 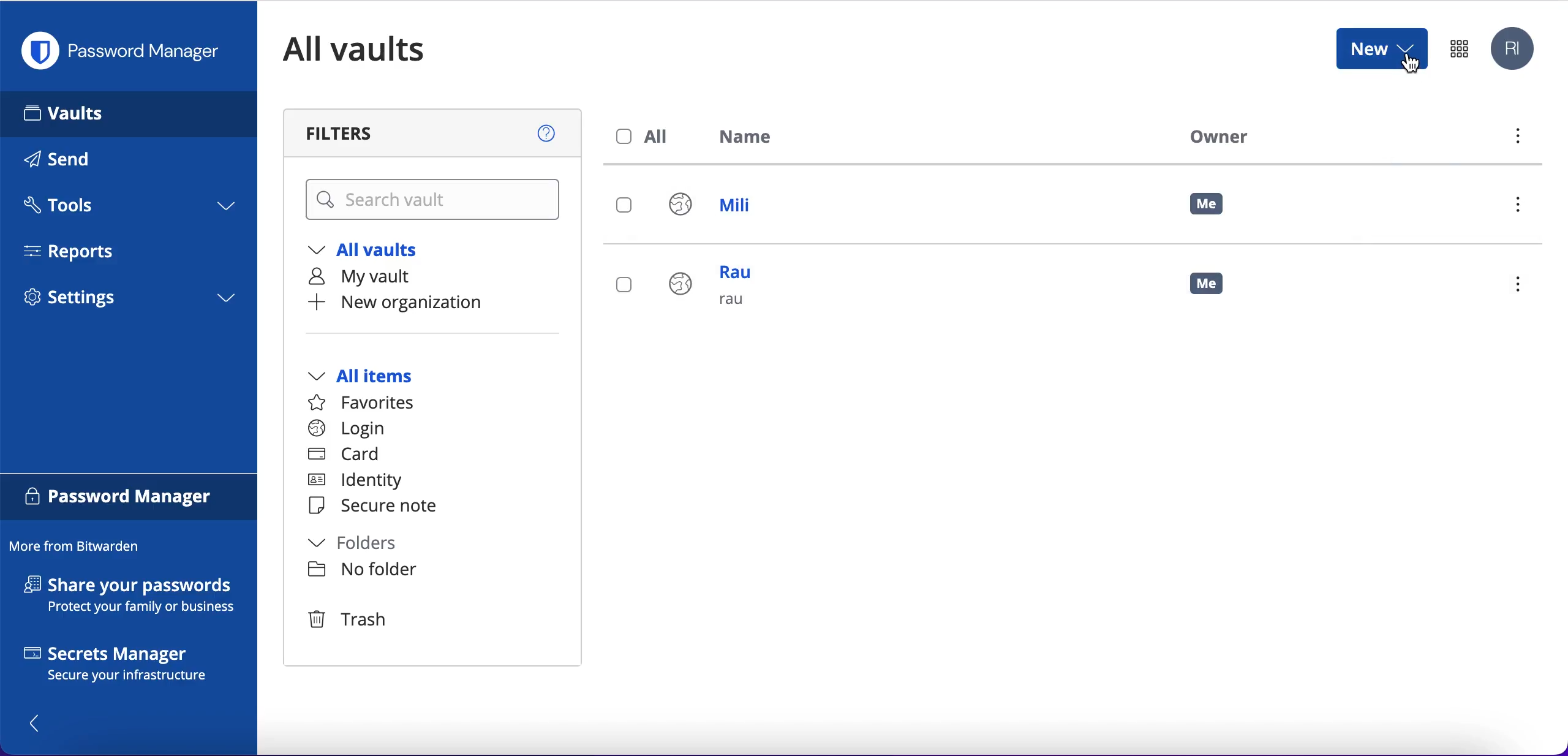 What do you see at coordinates (625, 206) in the screenshot?
I see `select login mili` at bounding box center [625, 206].